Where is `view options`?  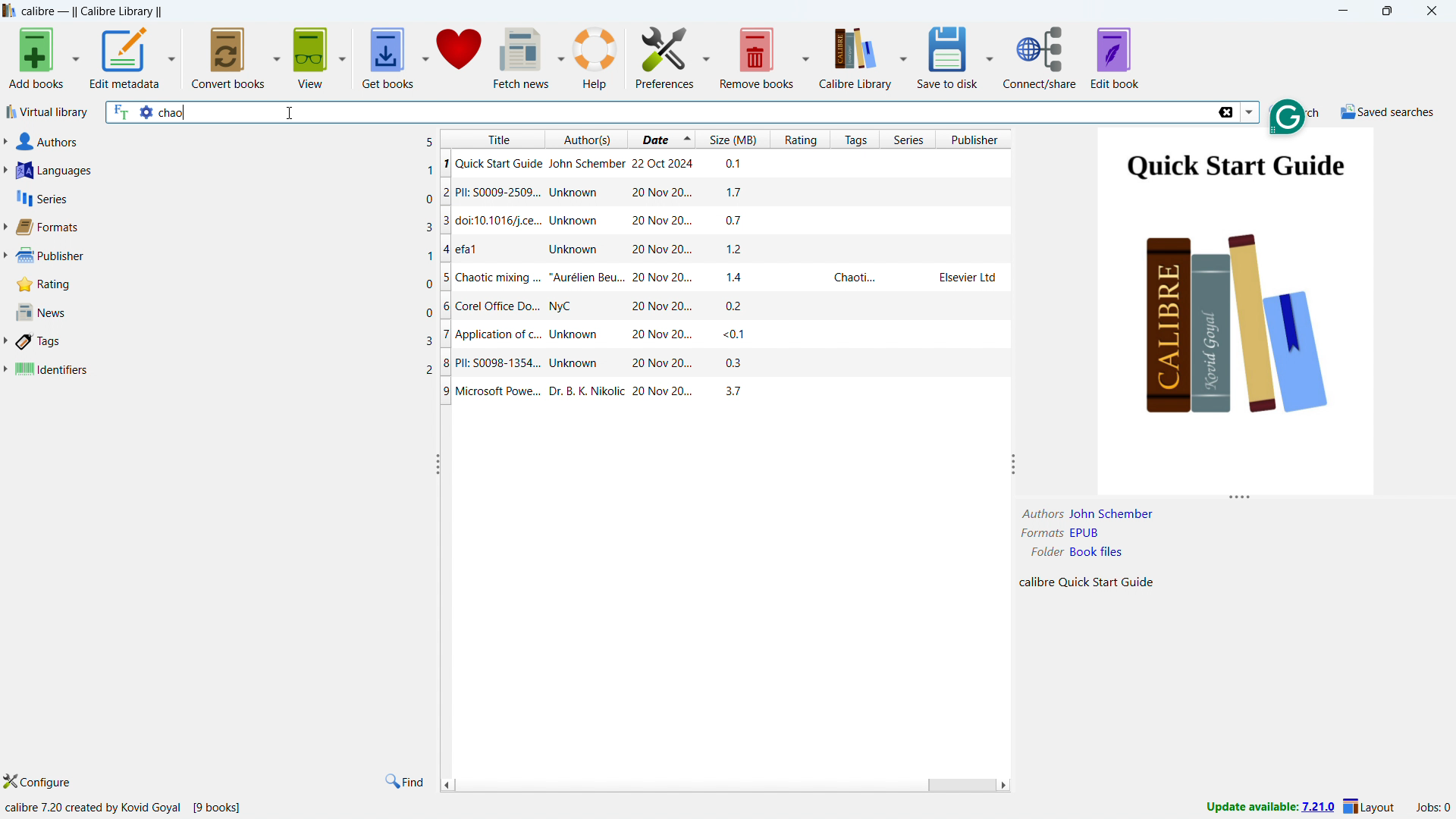 view options is located at coordinates (342, 56).